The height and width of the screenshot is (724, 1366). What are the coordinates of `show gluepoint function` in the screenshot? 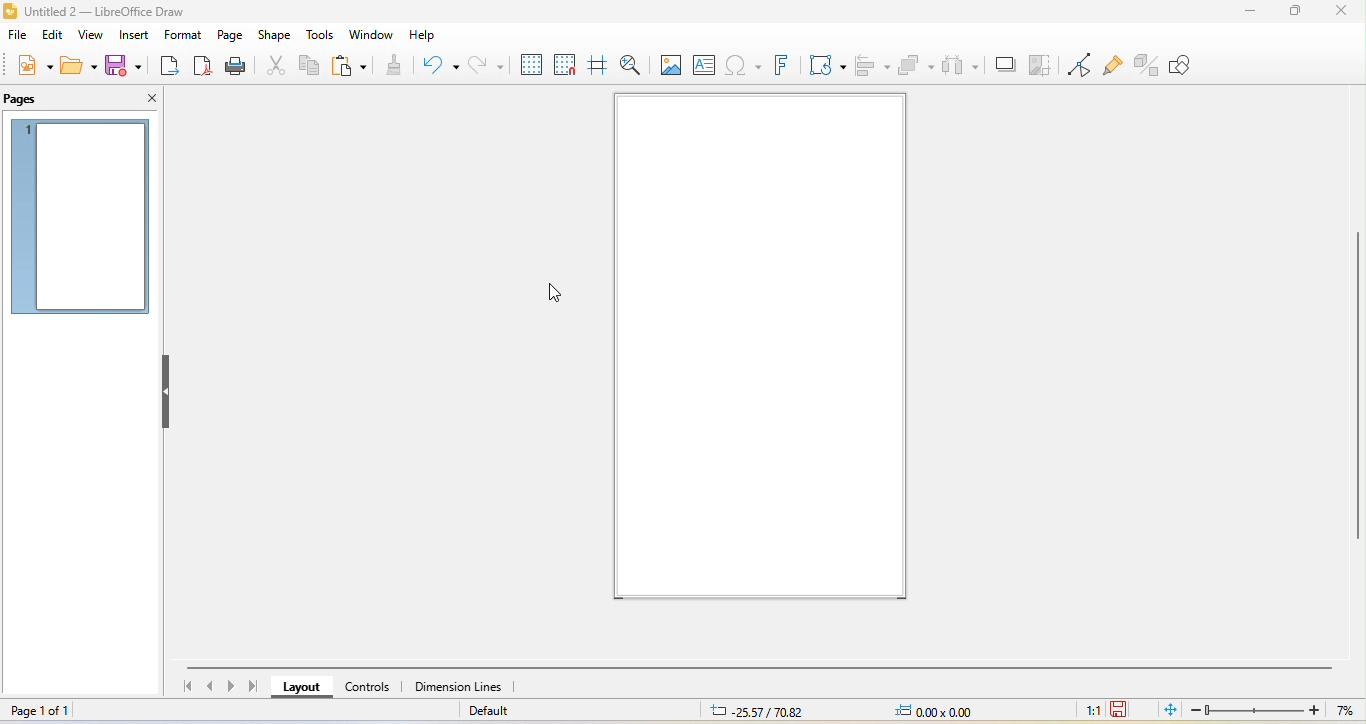 It's located at (1110, 66).